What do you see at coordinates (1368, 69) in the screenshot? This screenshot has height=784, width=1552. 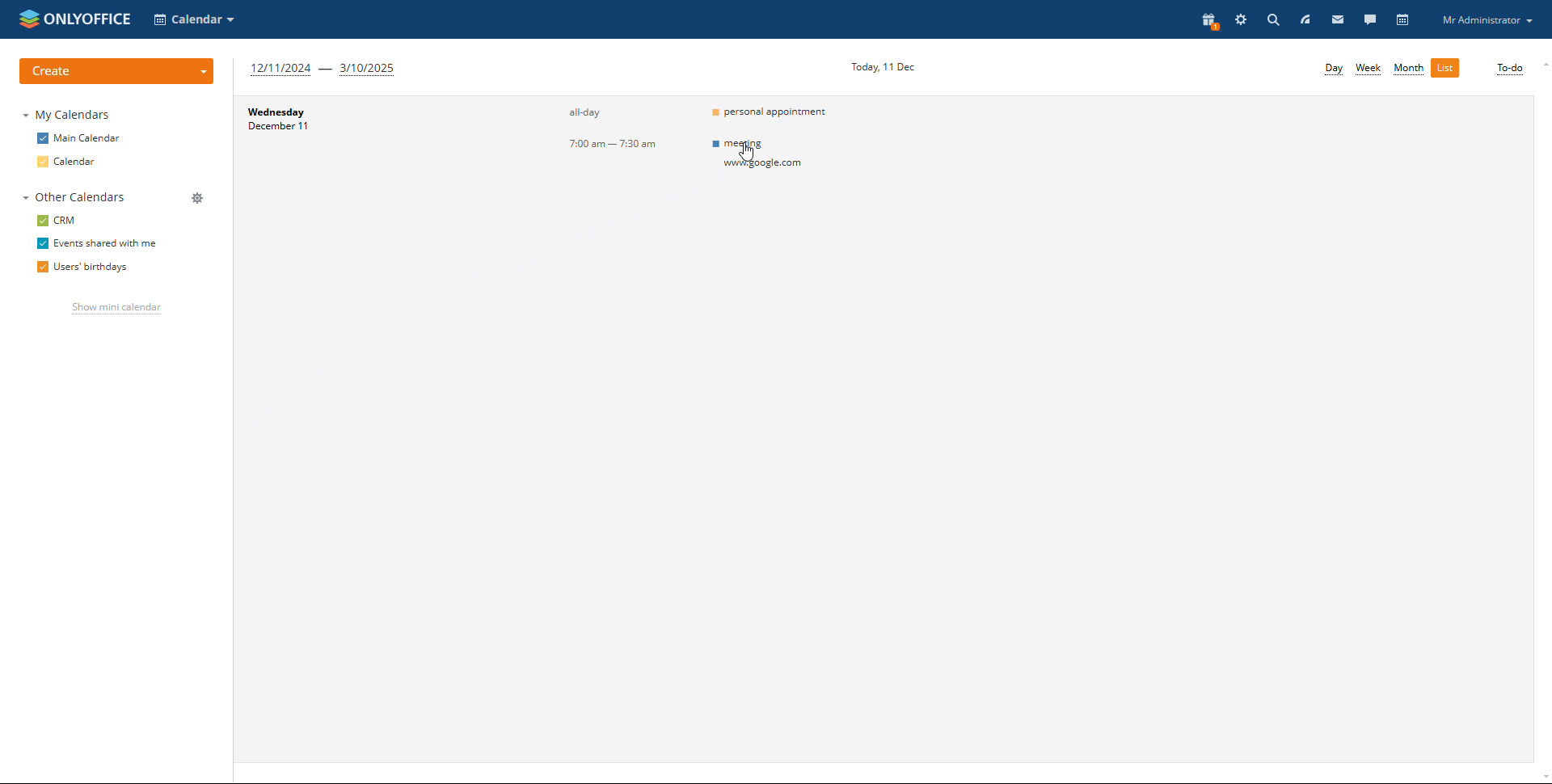 I see `week view` at bounding box center [1368, 69].